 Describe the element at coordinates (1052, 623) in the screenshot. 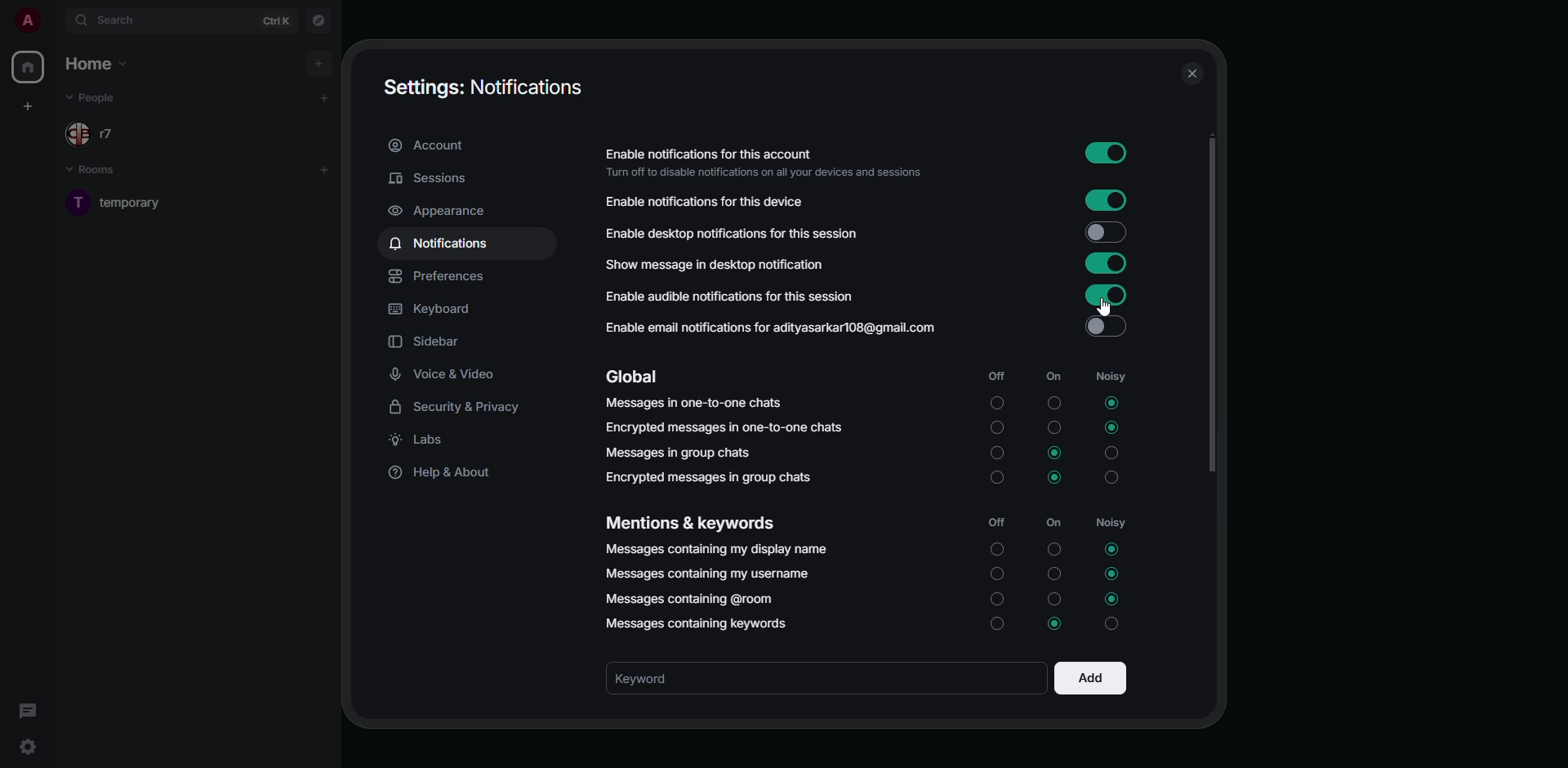

I see `selected` at that location.